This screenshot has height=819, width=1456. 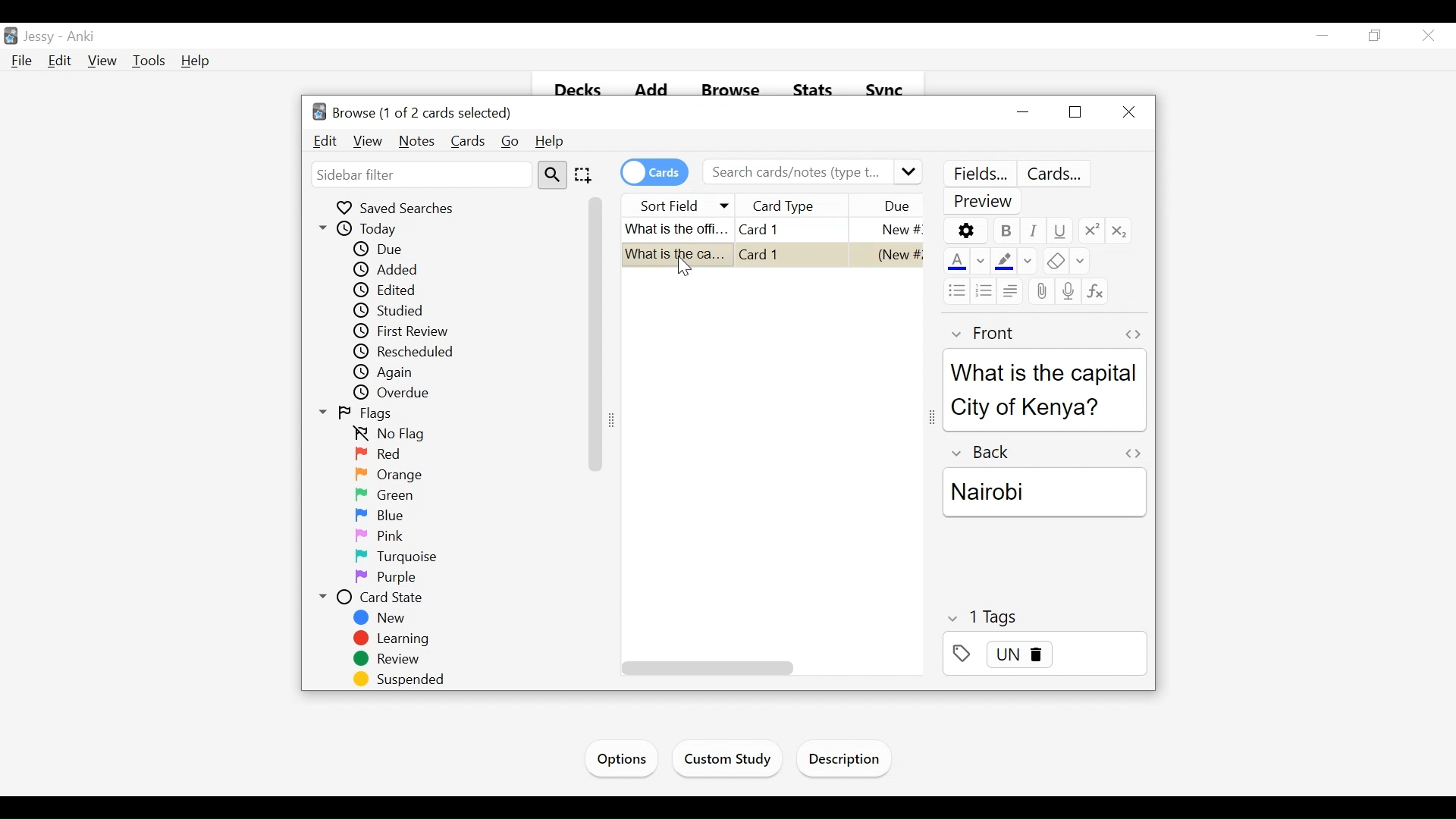 What do you see at coordinates (377, 454) in the screenshot?
I see `Red` at bounding box center [377, 454].